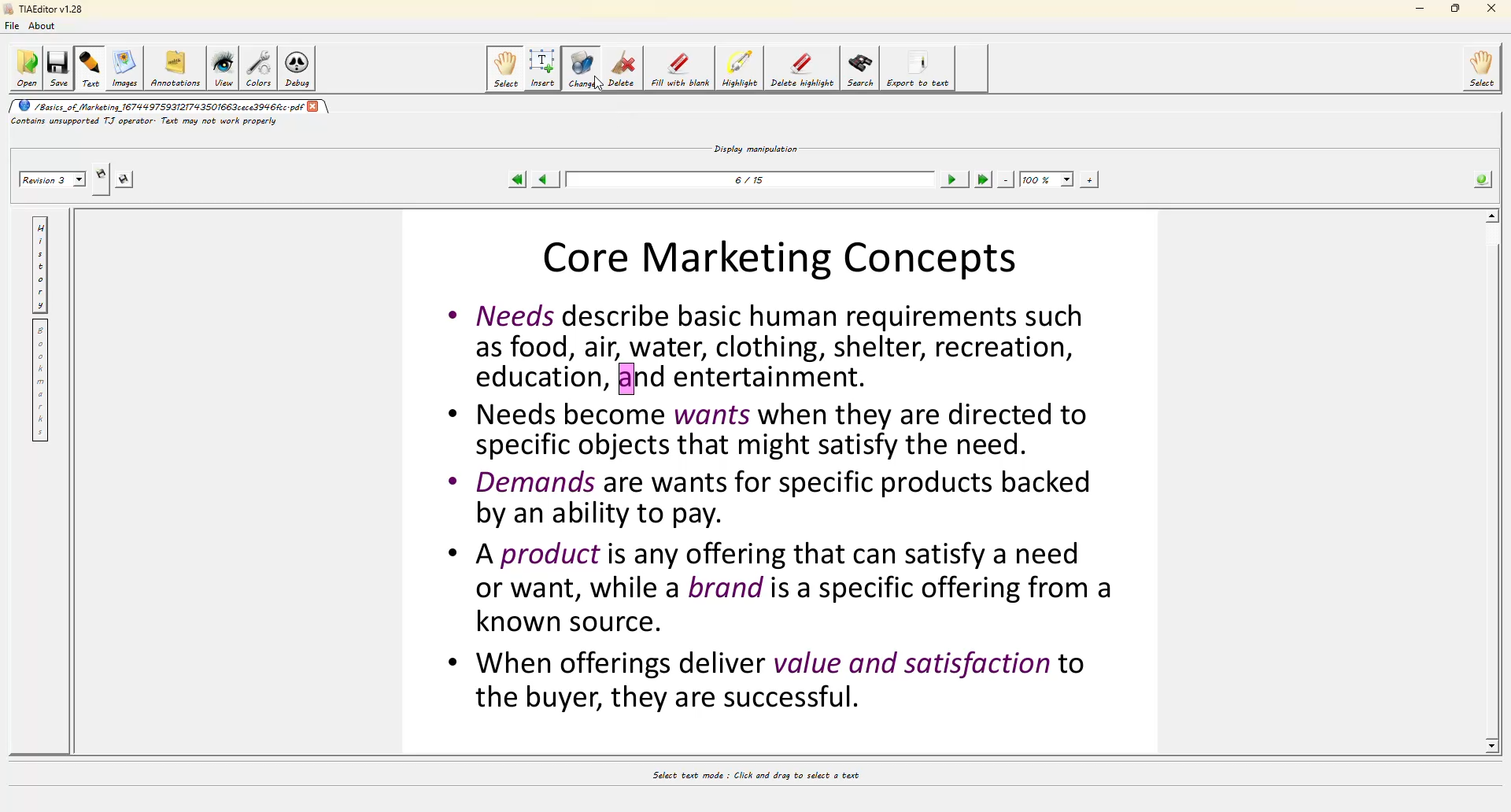  Describe the element at coordinates (1456, 8) in the screenshot. I see `maximize` at that location.